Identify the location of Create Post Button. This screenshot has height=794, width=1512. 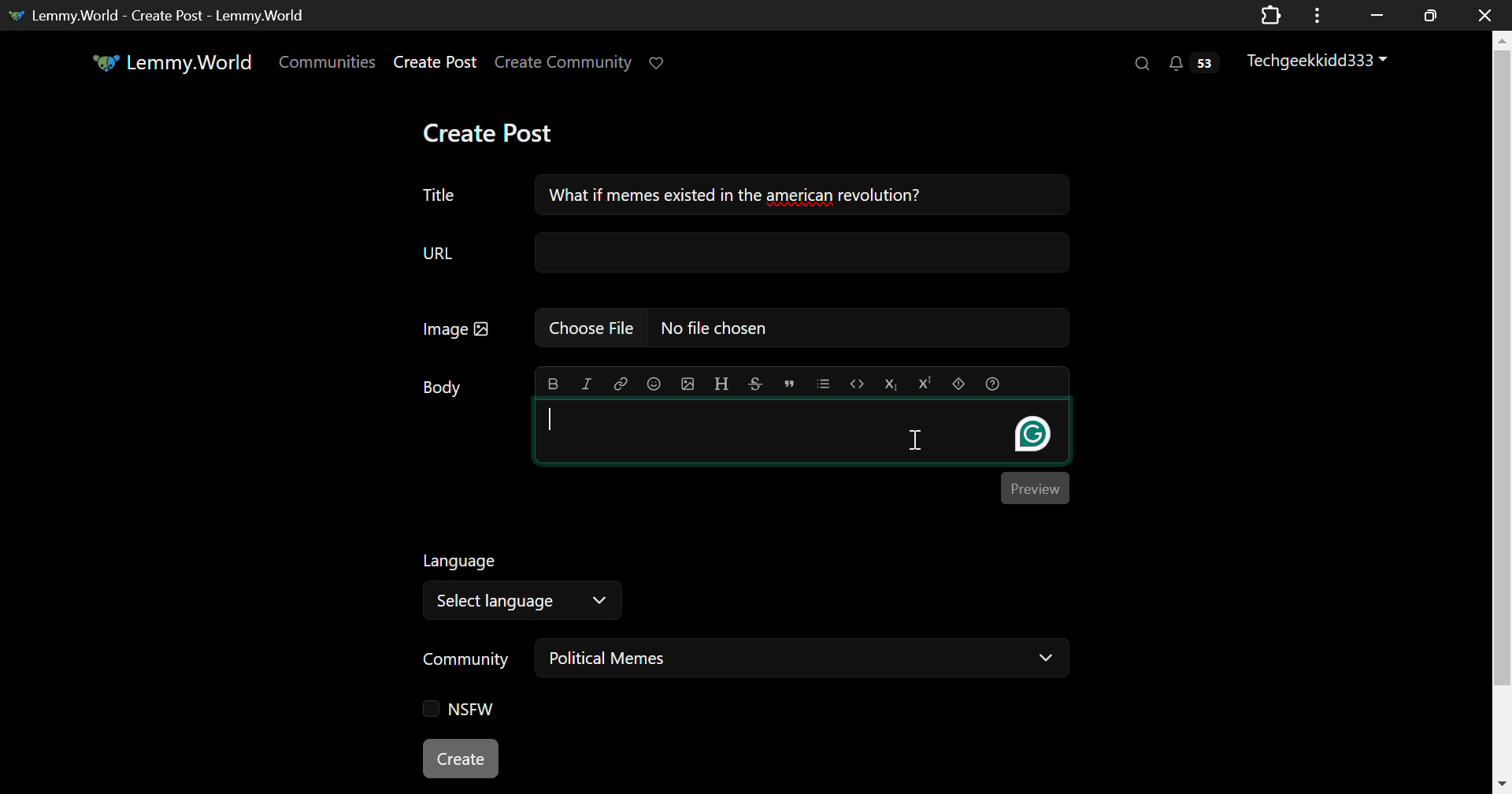
(462, 759).